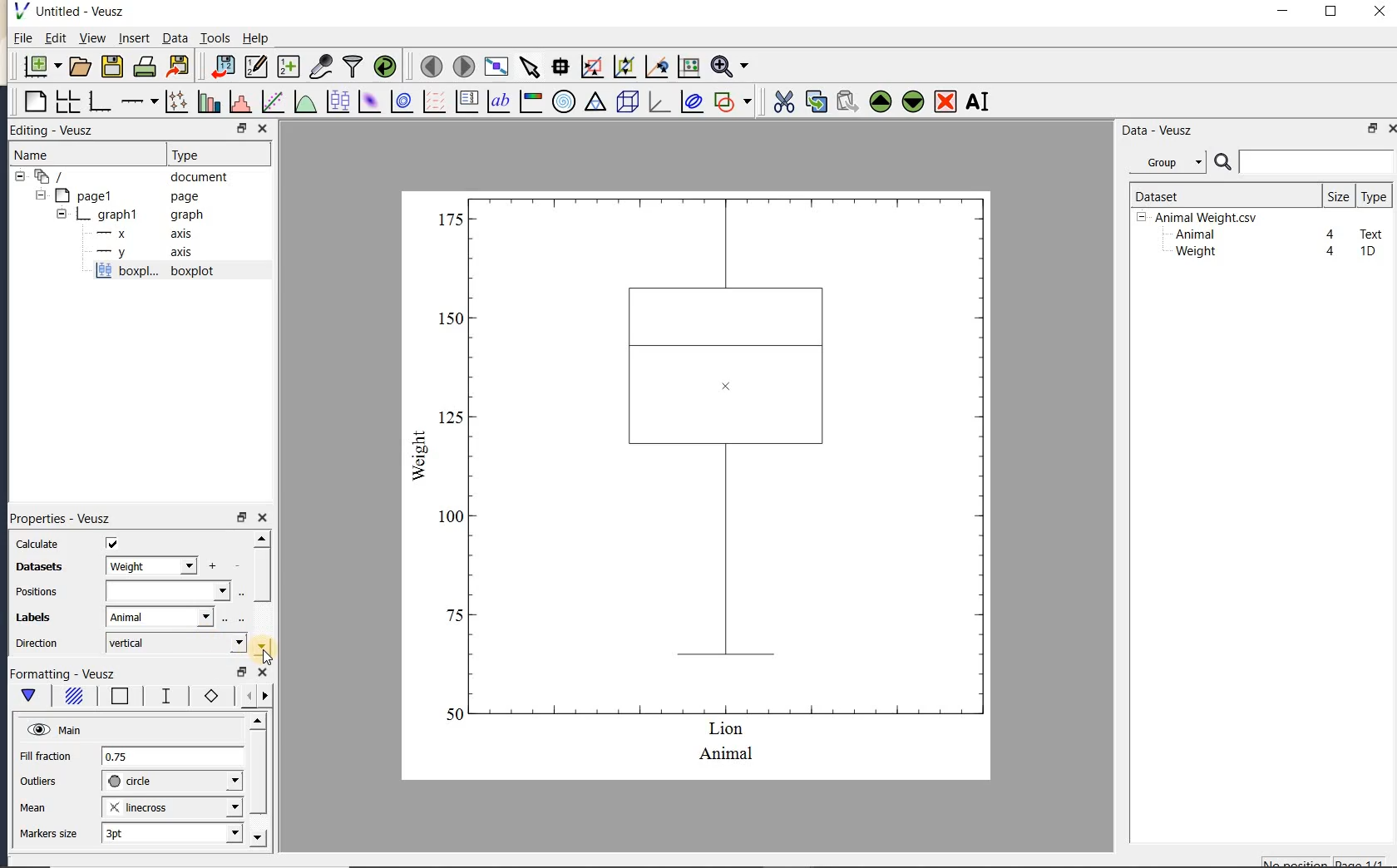  I want to click on 4, so click(1331, 252).